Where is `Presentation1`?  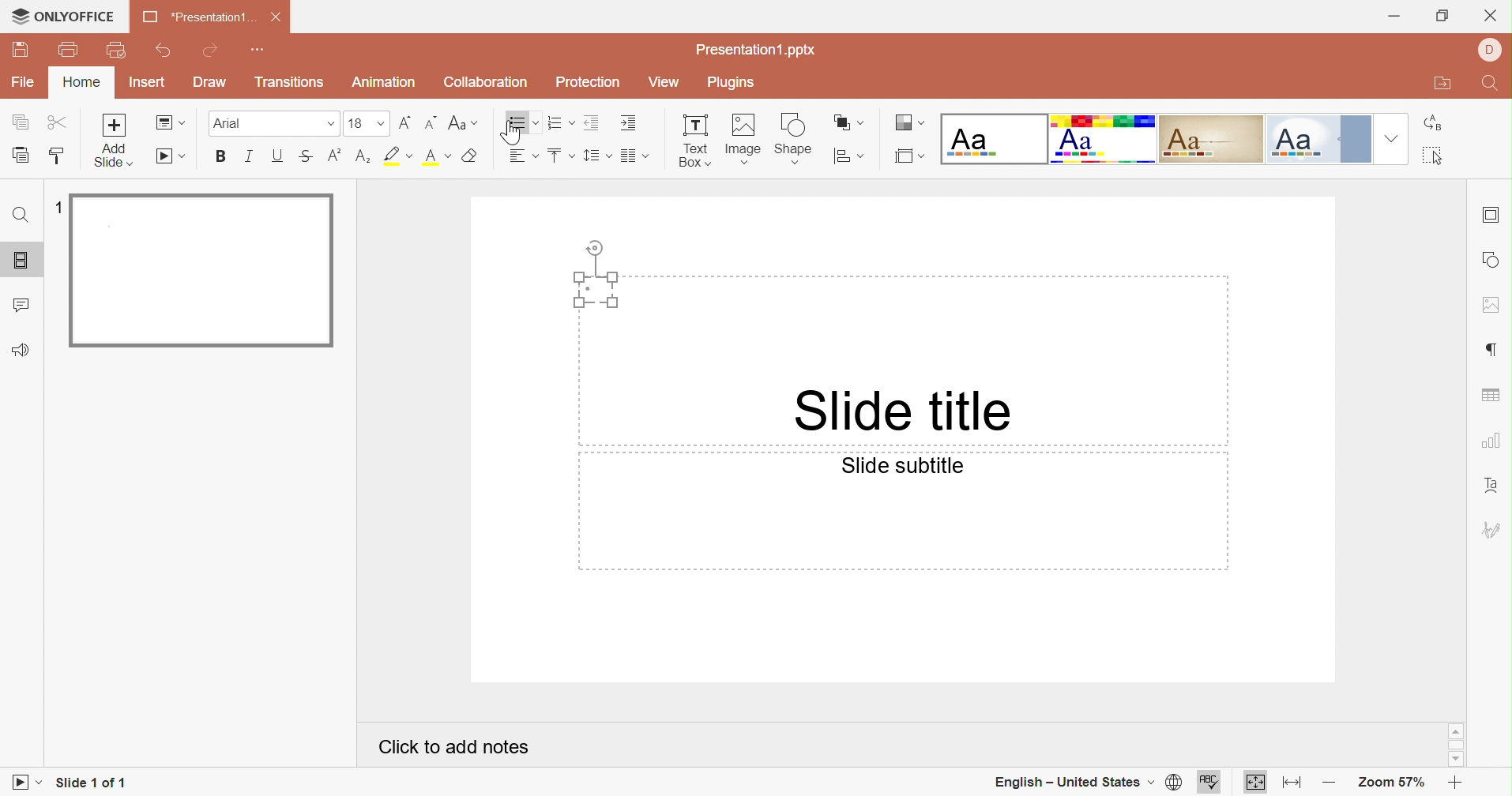
Presentation1 is located at coordinates (194, 19).